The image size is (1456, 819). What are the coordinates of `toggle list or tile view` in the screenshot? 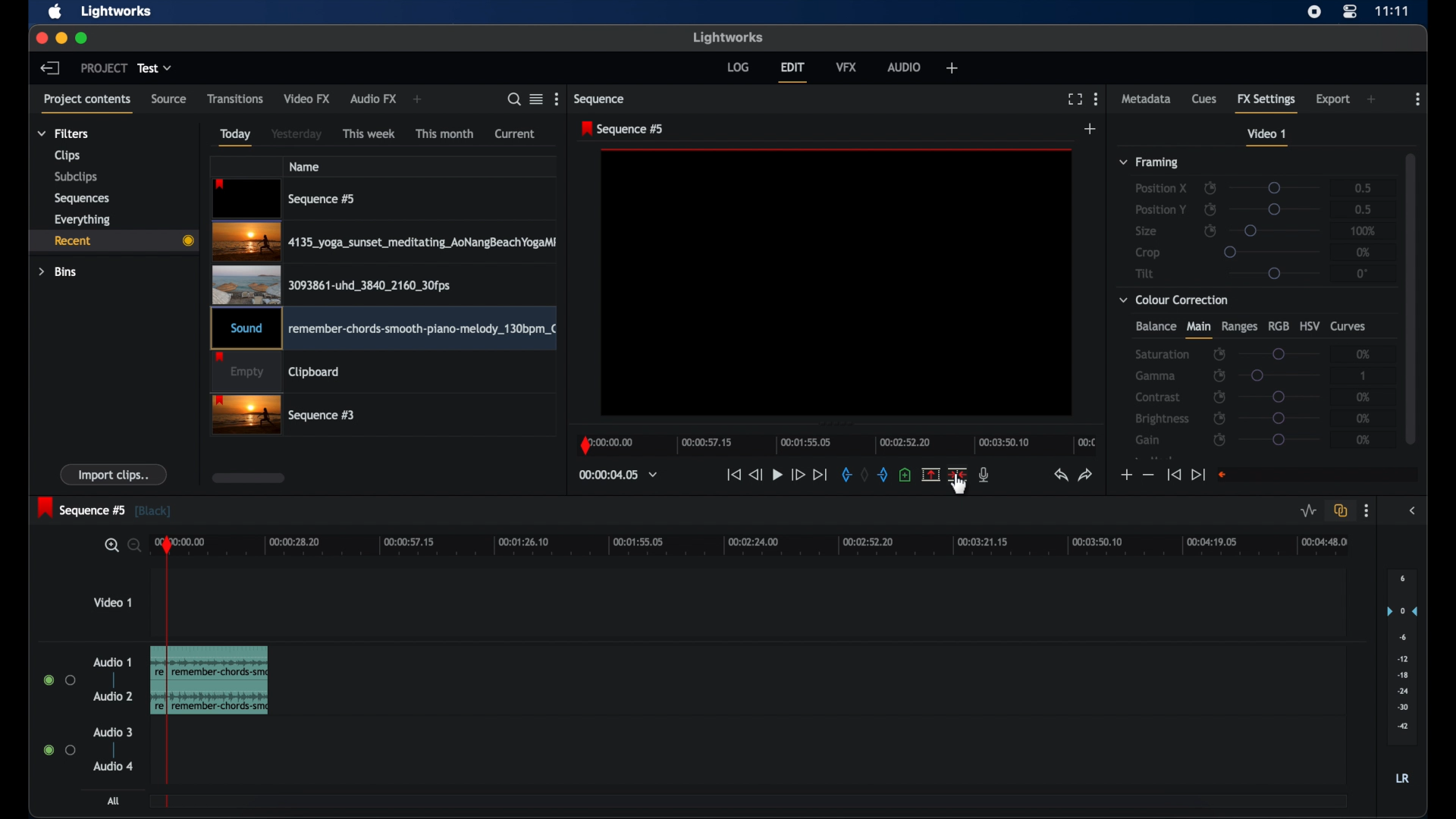 It's located at (536, 99).